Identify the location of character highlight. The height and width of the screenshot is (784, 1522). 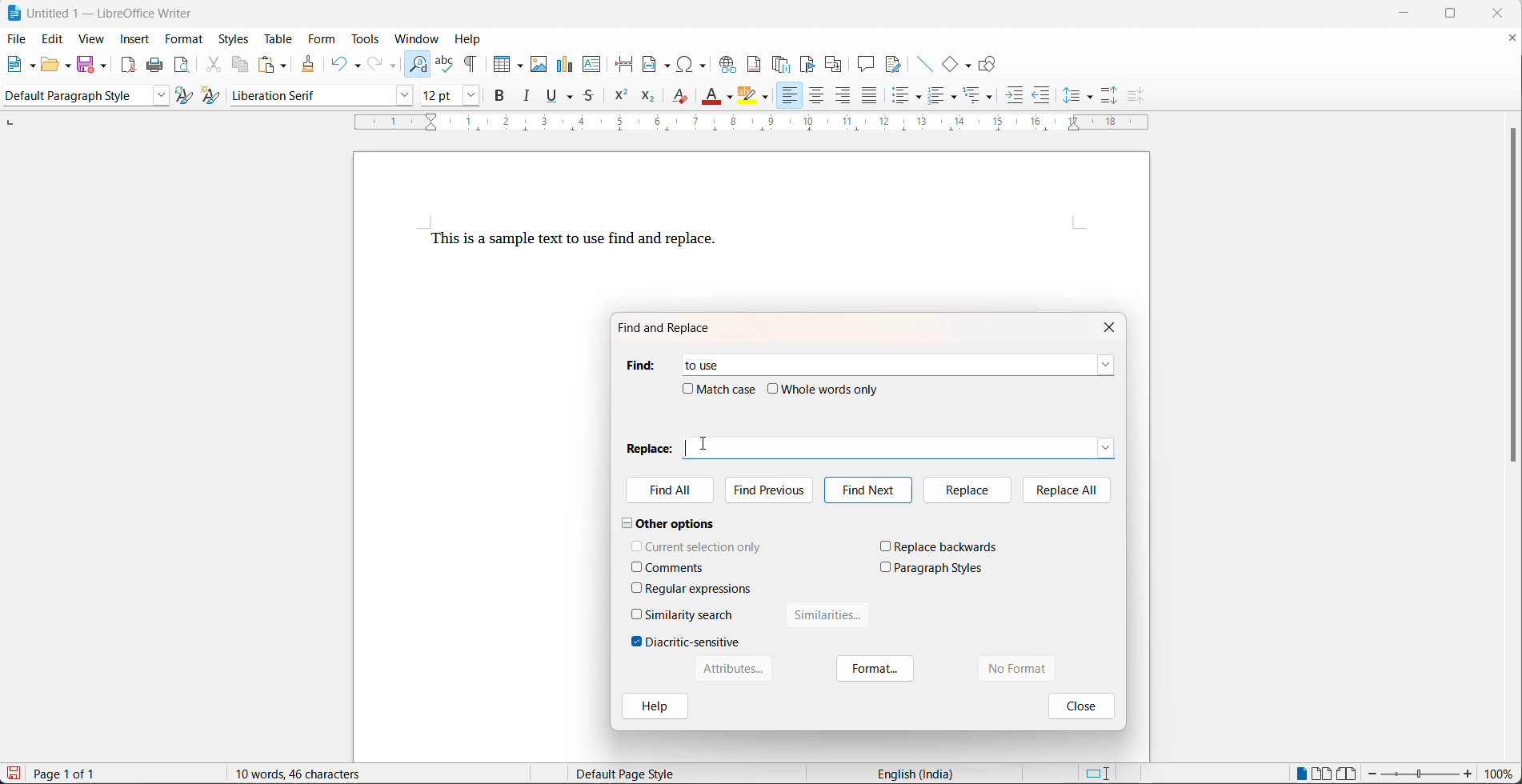
(747, 96).